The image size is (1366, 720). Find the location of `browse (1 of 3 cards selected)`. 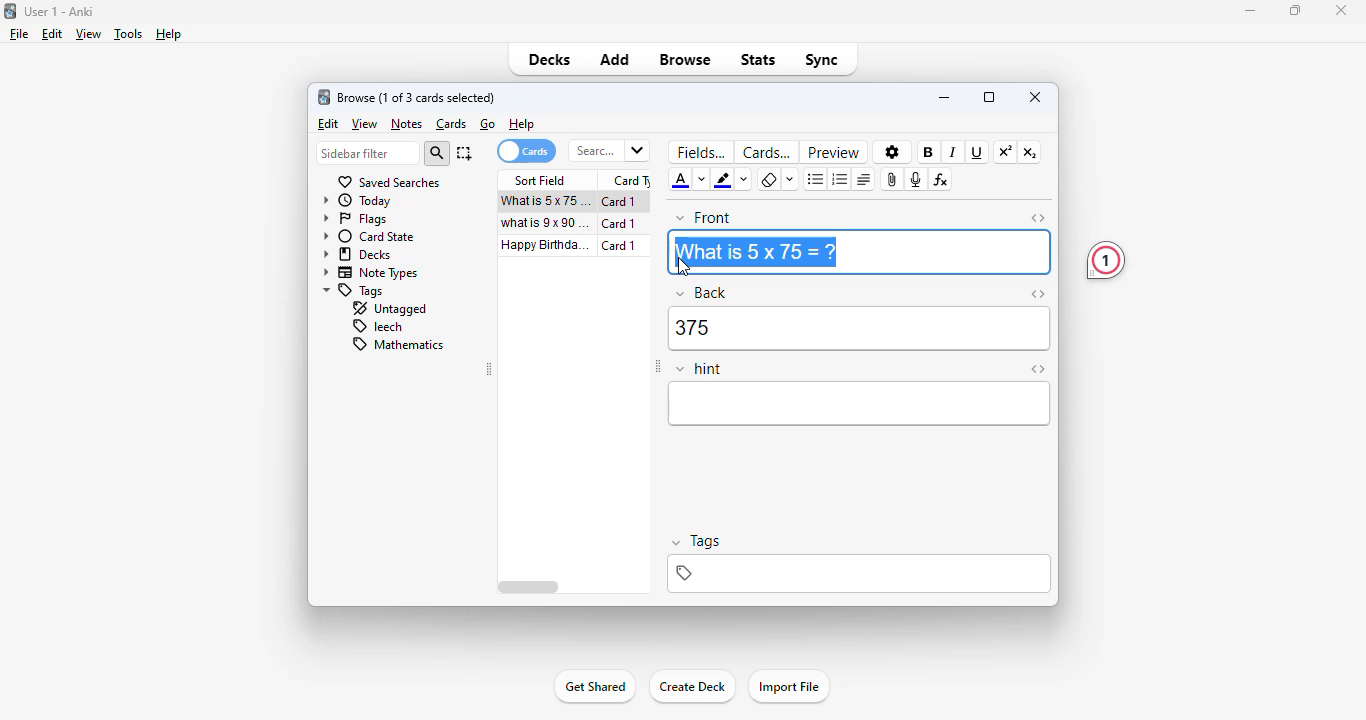

browse (1 of 3 cards selected) is located at coordinates (417, 97).